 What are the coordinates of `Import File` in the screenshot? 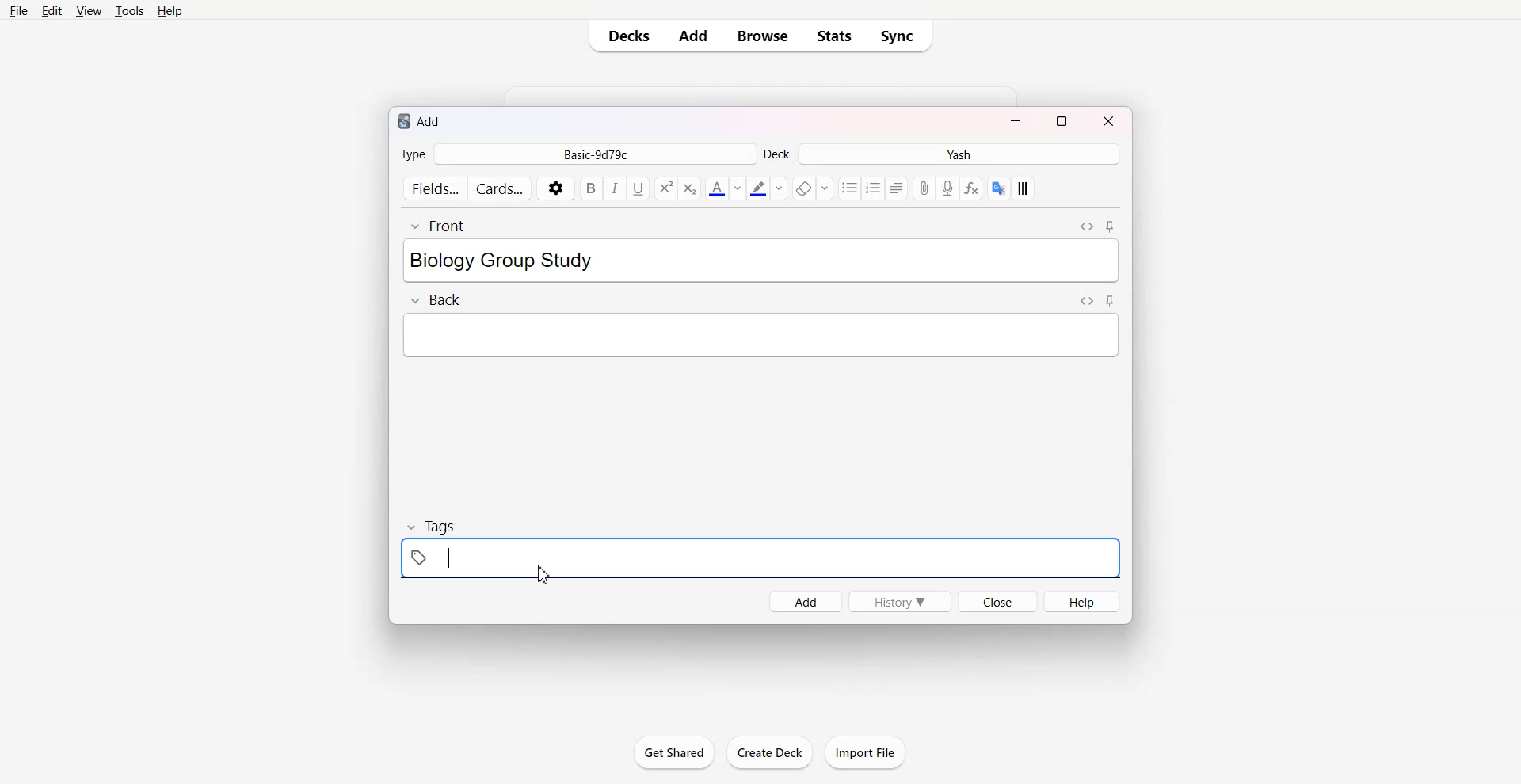 It's located at (866, 752).